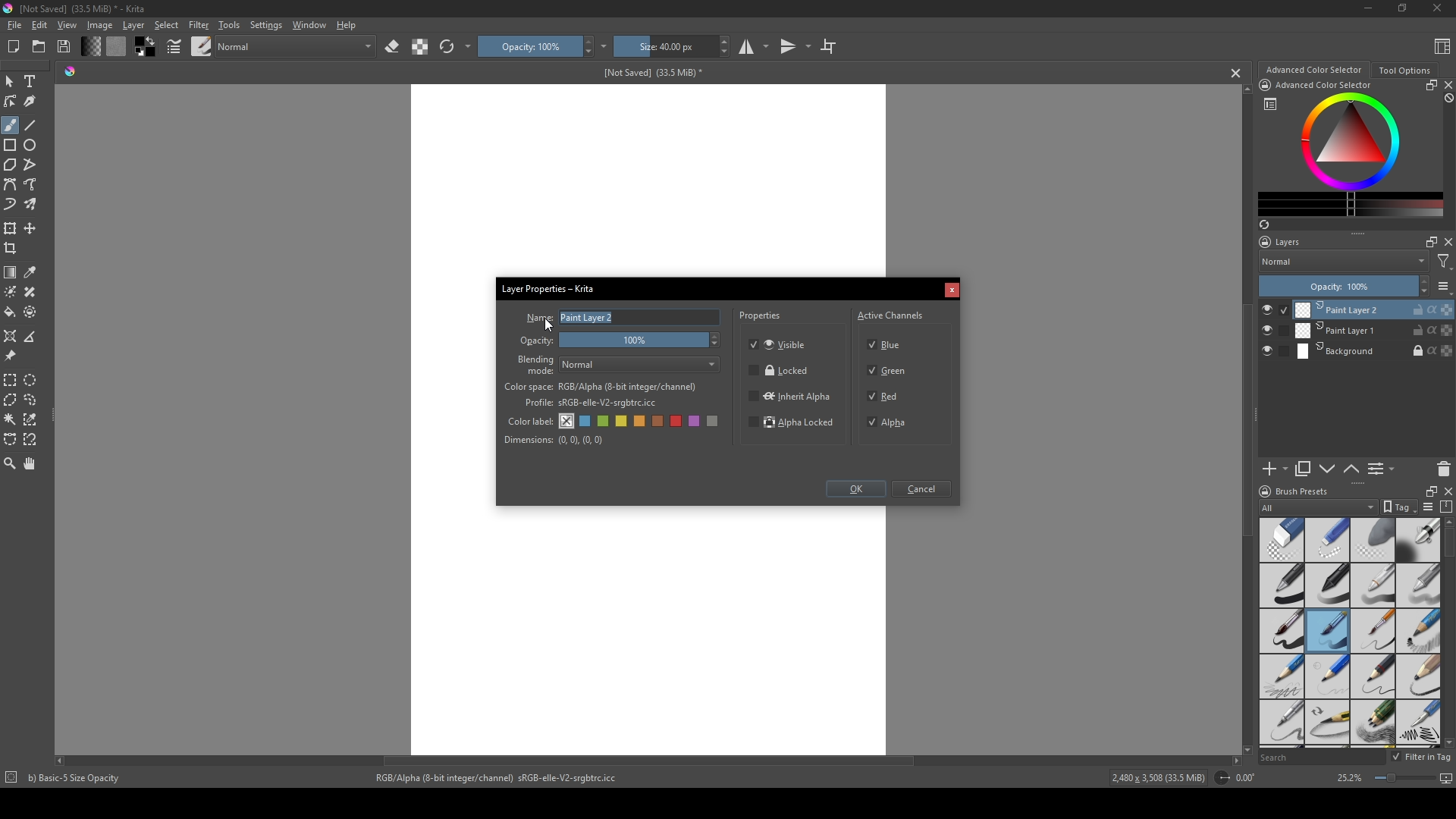  Describe the element at coordinates (1423, 281) in the screenshot. I see `increase` at that location.